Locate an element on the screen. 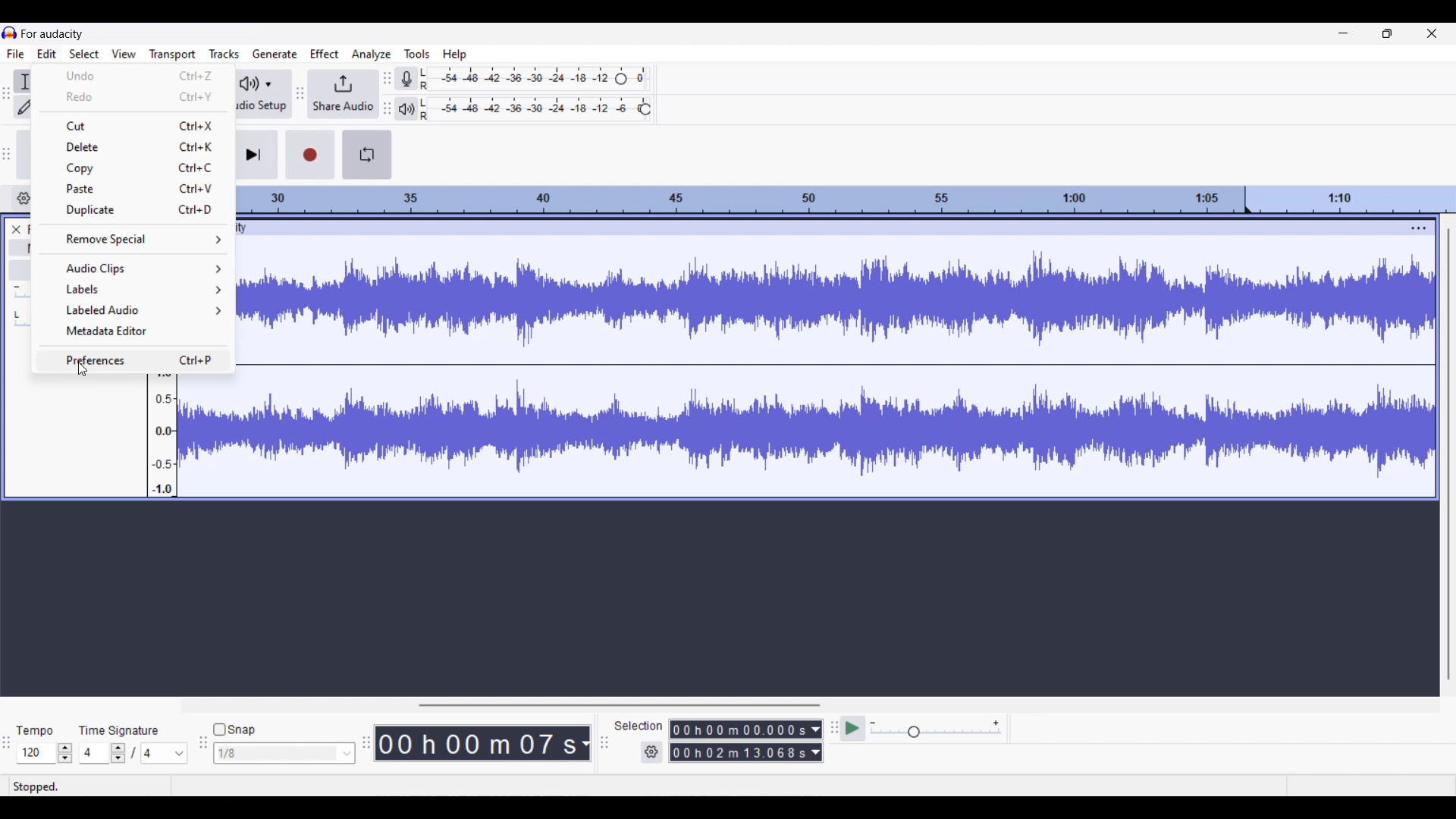  selection is located at coordinates (638, 725).